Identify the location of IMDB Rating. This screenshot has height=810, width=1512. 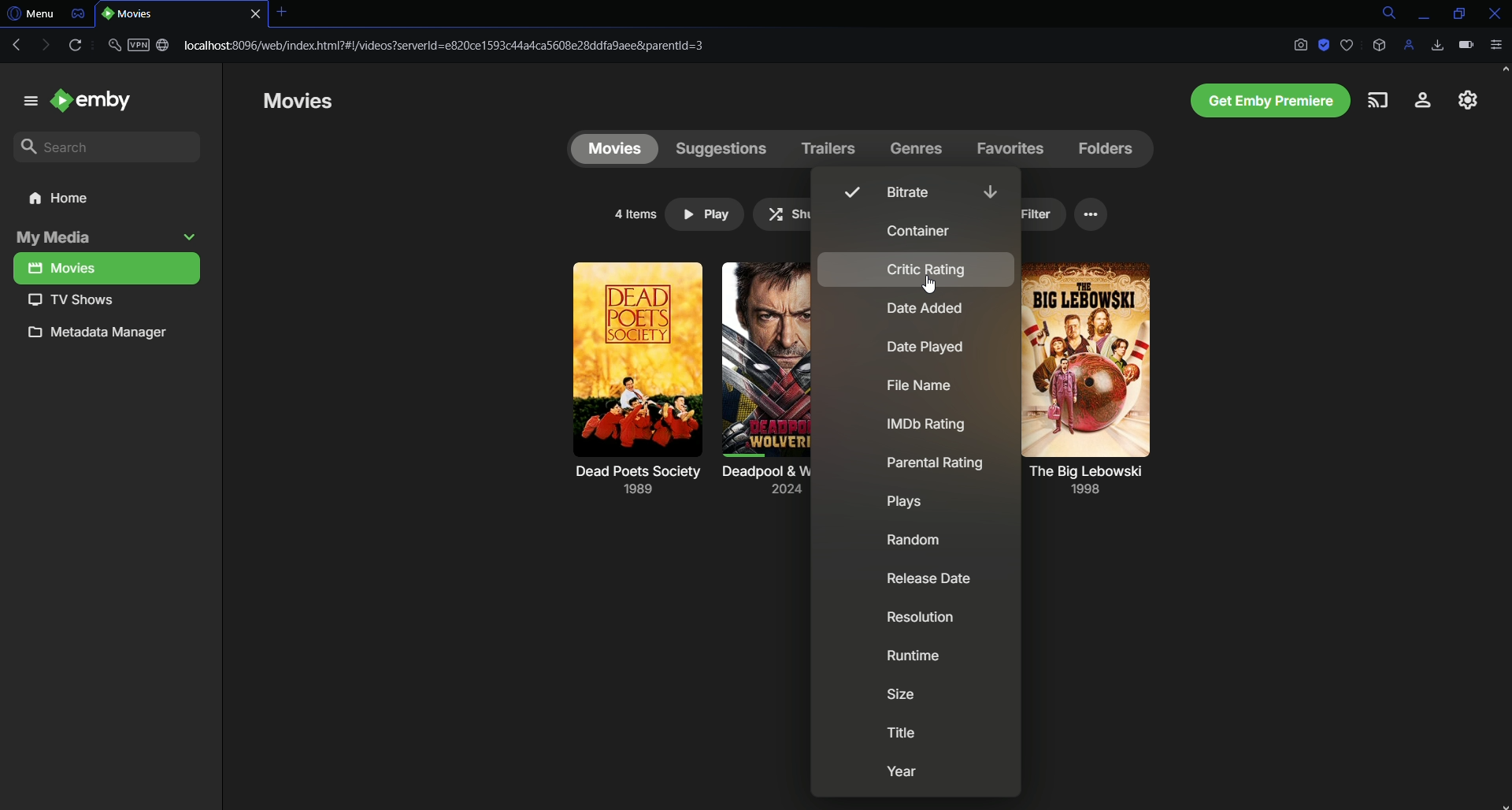
(926, 427).